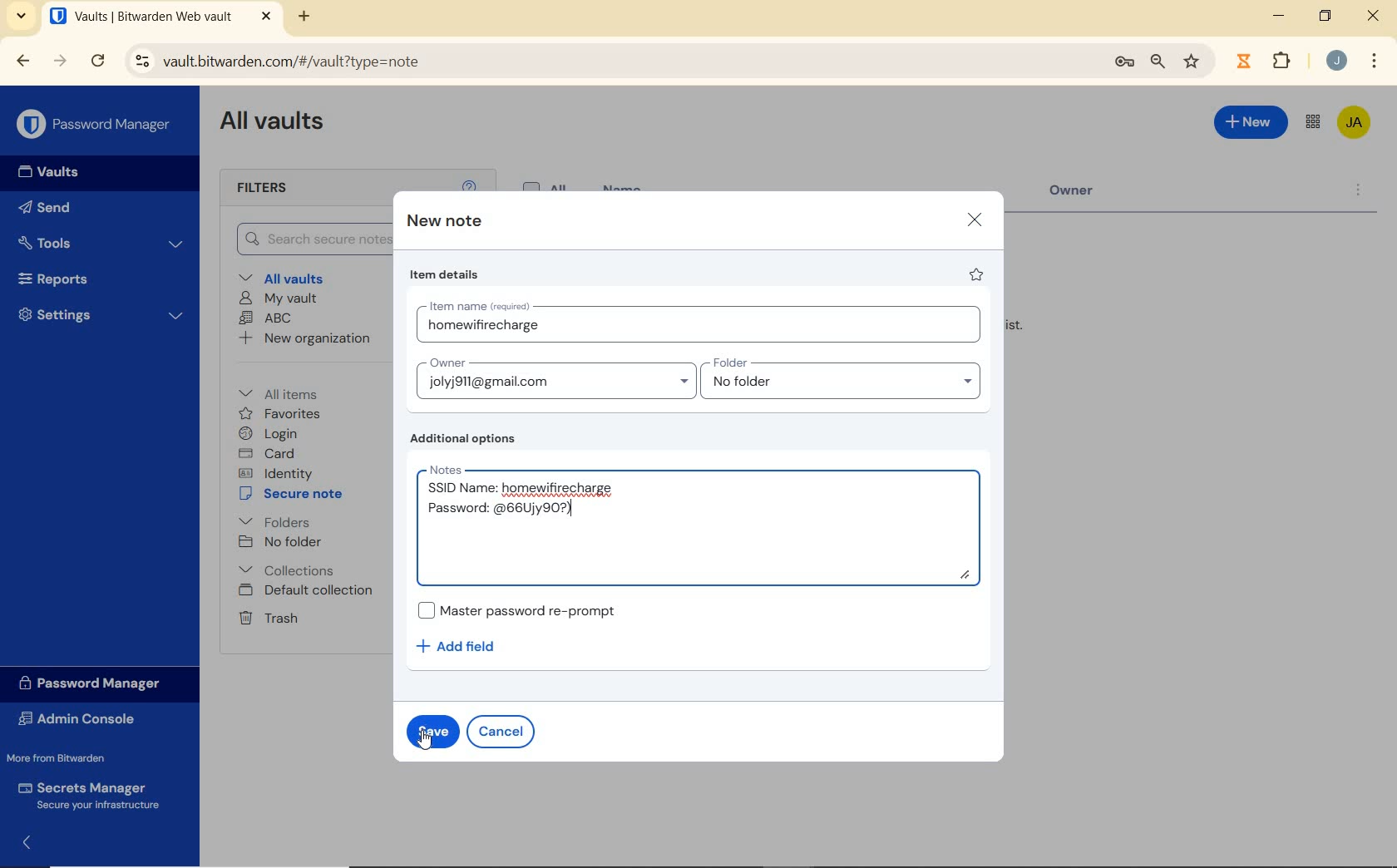 The width and height of the screenshot is (1397, 868). Describe the element at coordinates (290, 392) in the screenshot. I see `All items` at that location.